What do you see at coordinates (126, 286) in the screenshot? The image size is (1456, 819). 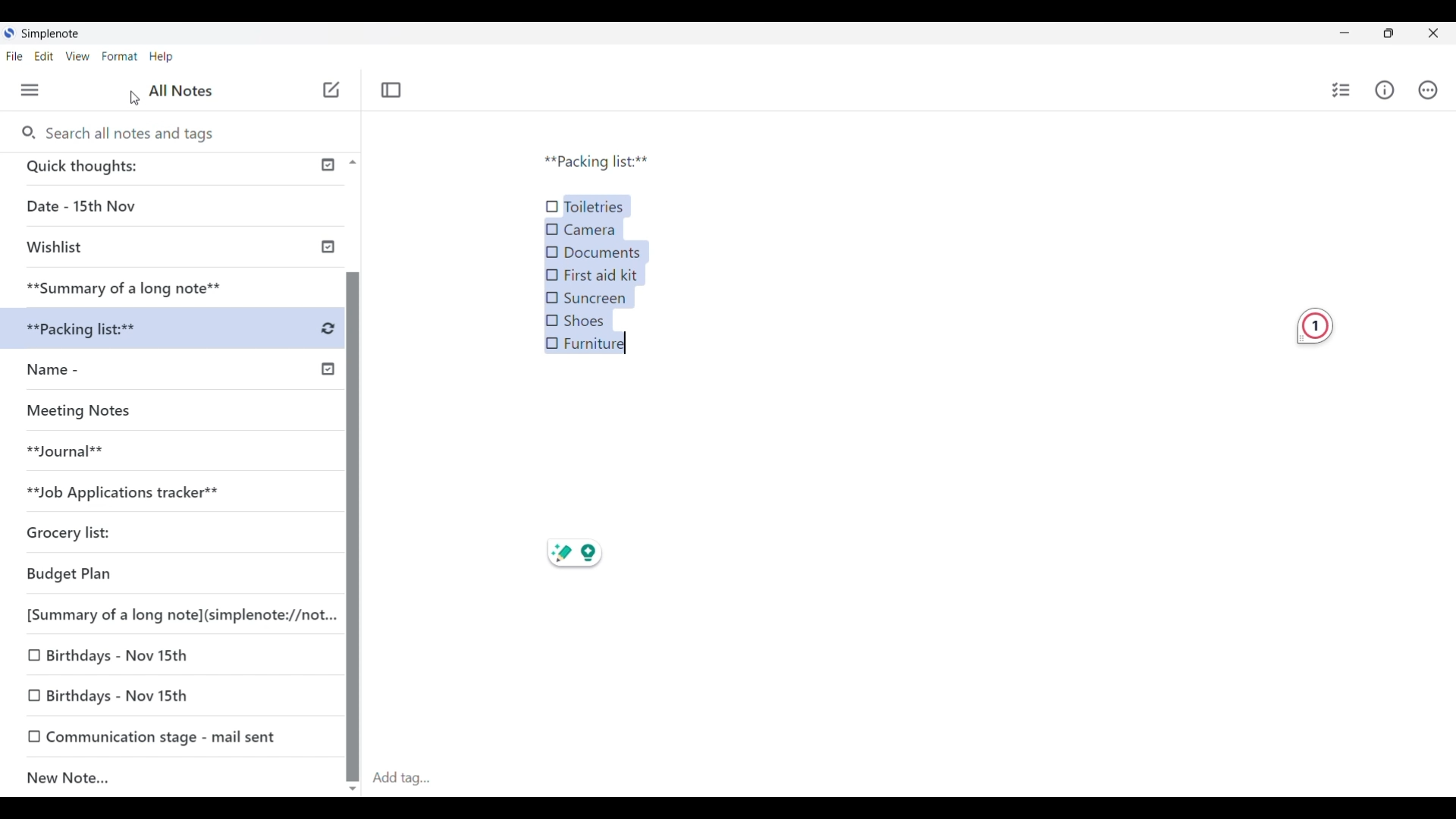 I see `Summary of a long note` at bounding box center [126, 286].